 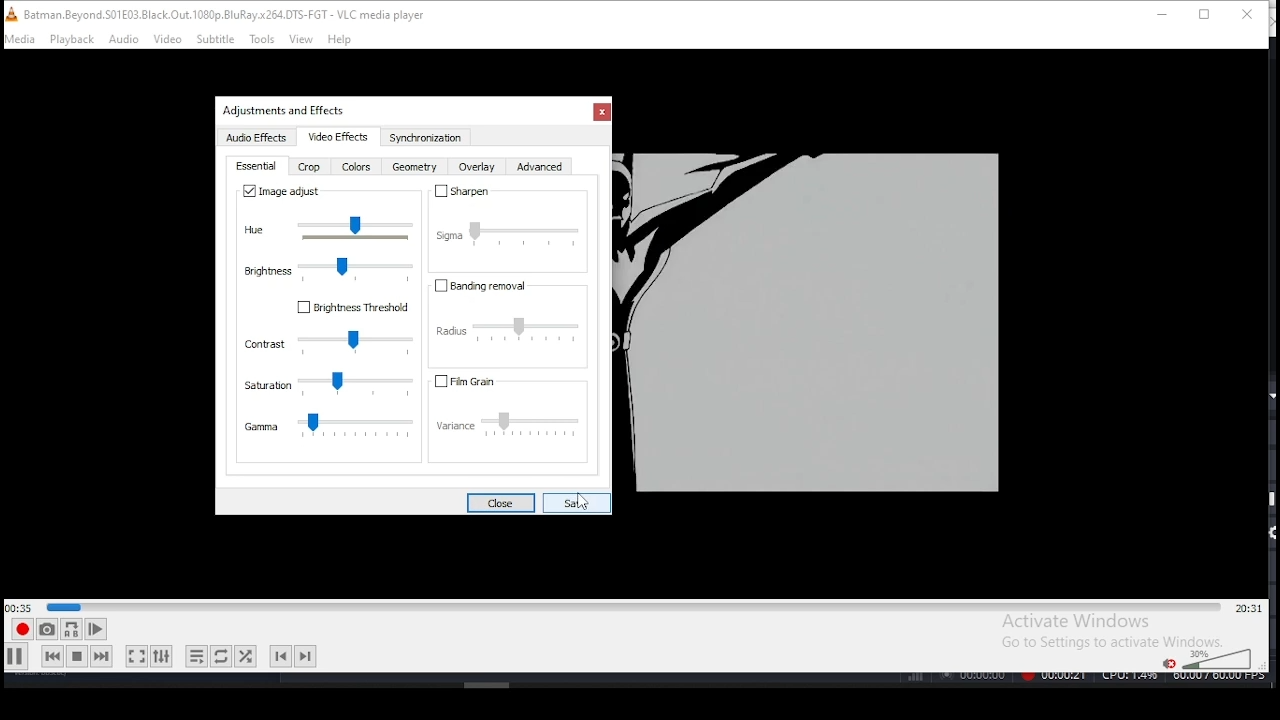 What do you see at coordinates (21, 39) in the screenshot?
I see `media` at bounding box center [21, 39].